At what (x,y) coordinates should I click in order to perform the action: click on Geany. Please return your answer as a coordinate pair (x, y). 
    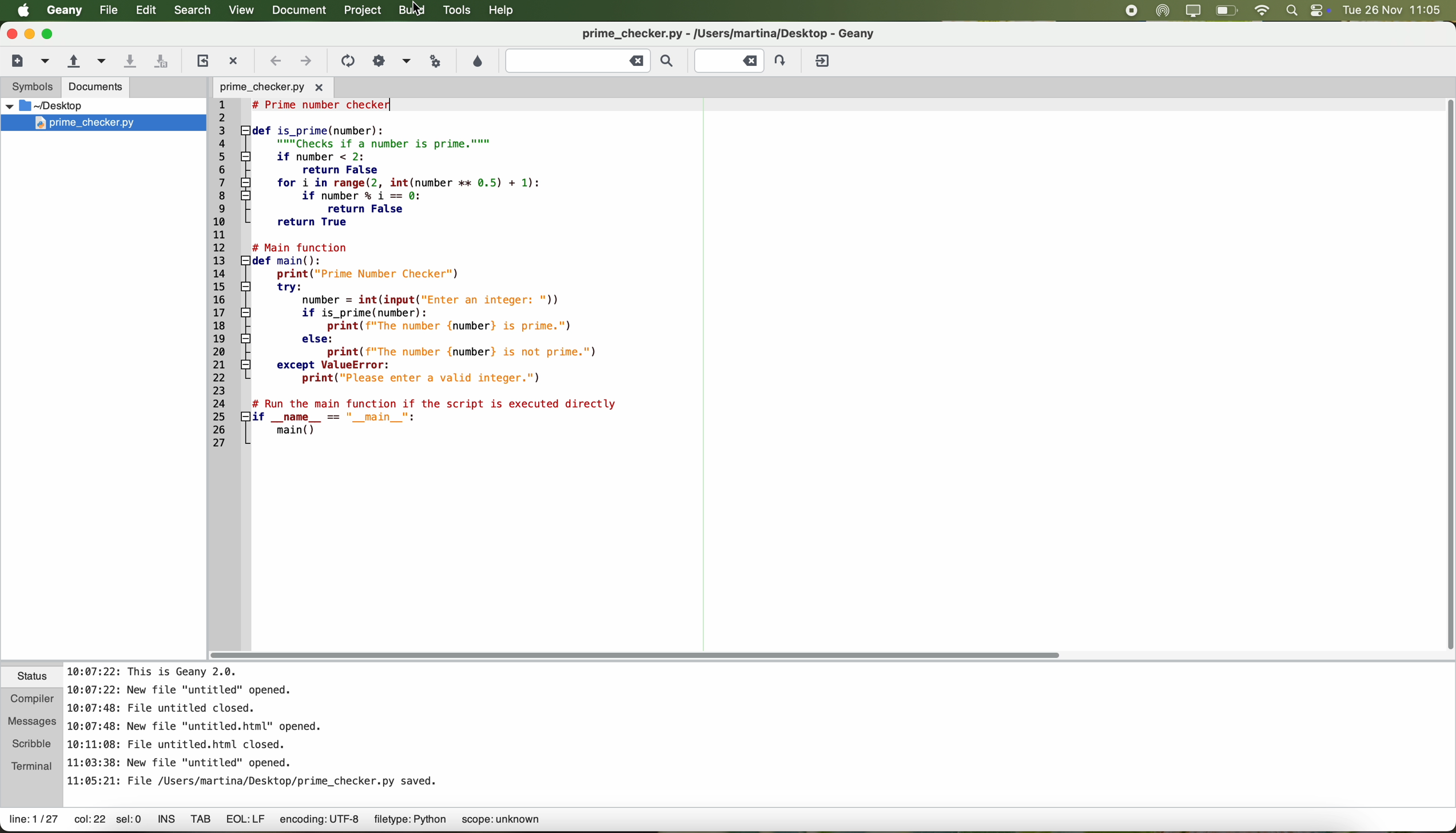
    Looking at the image, I should click on (63, 11).